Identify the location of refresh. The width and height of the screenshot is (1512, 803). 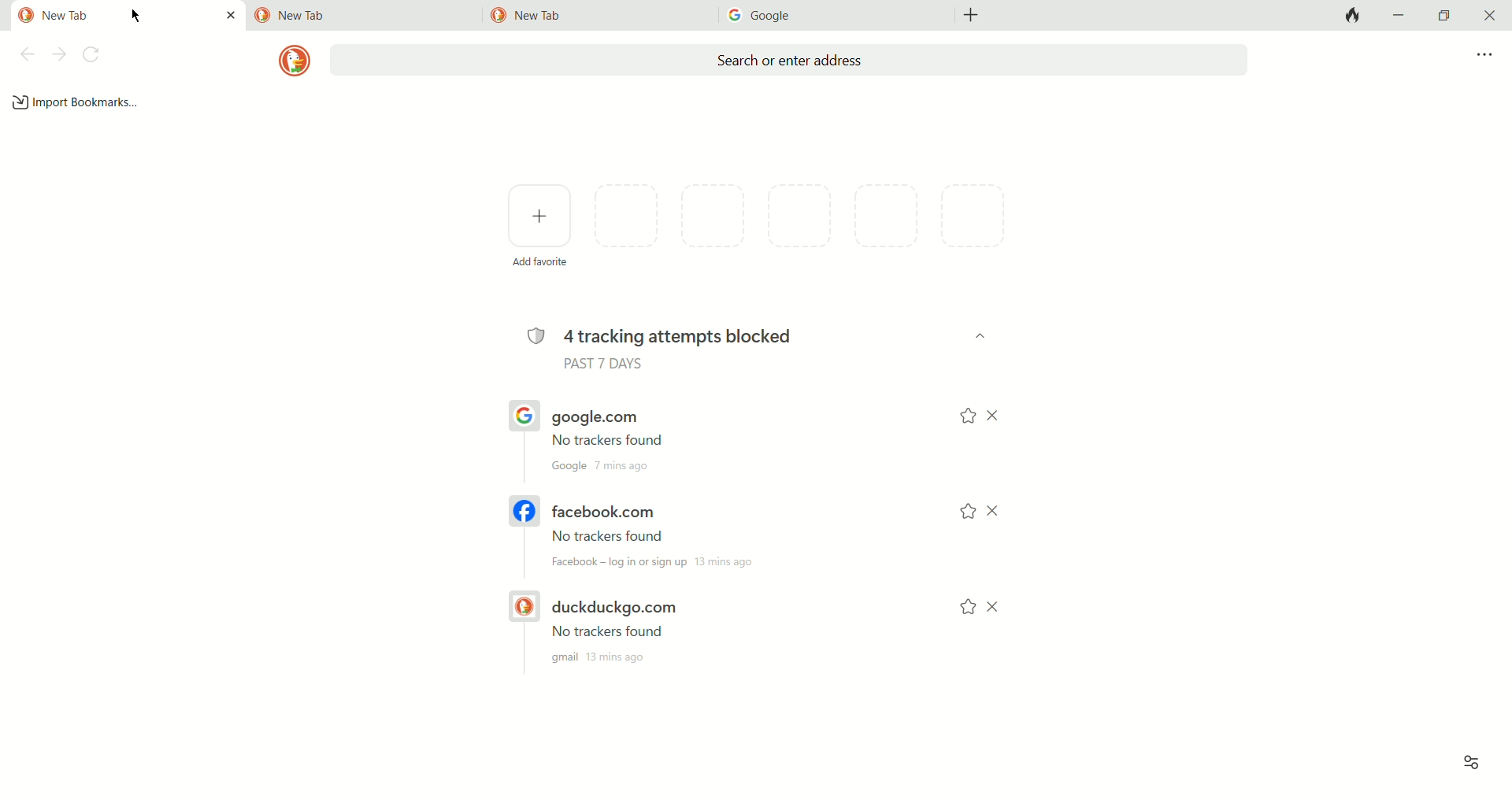
(93, 56).